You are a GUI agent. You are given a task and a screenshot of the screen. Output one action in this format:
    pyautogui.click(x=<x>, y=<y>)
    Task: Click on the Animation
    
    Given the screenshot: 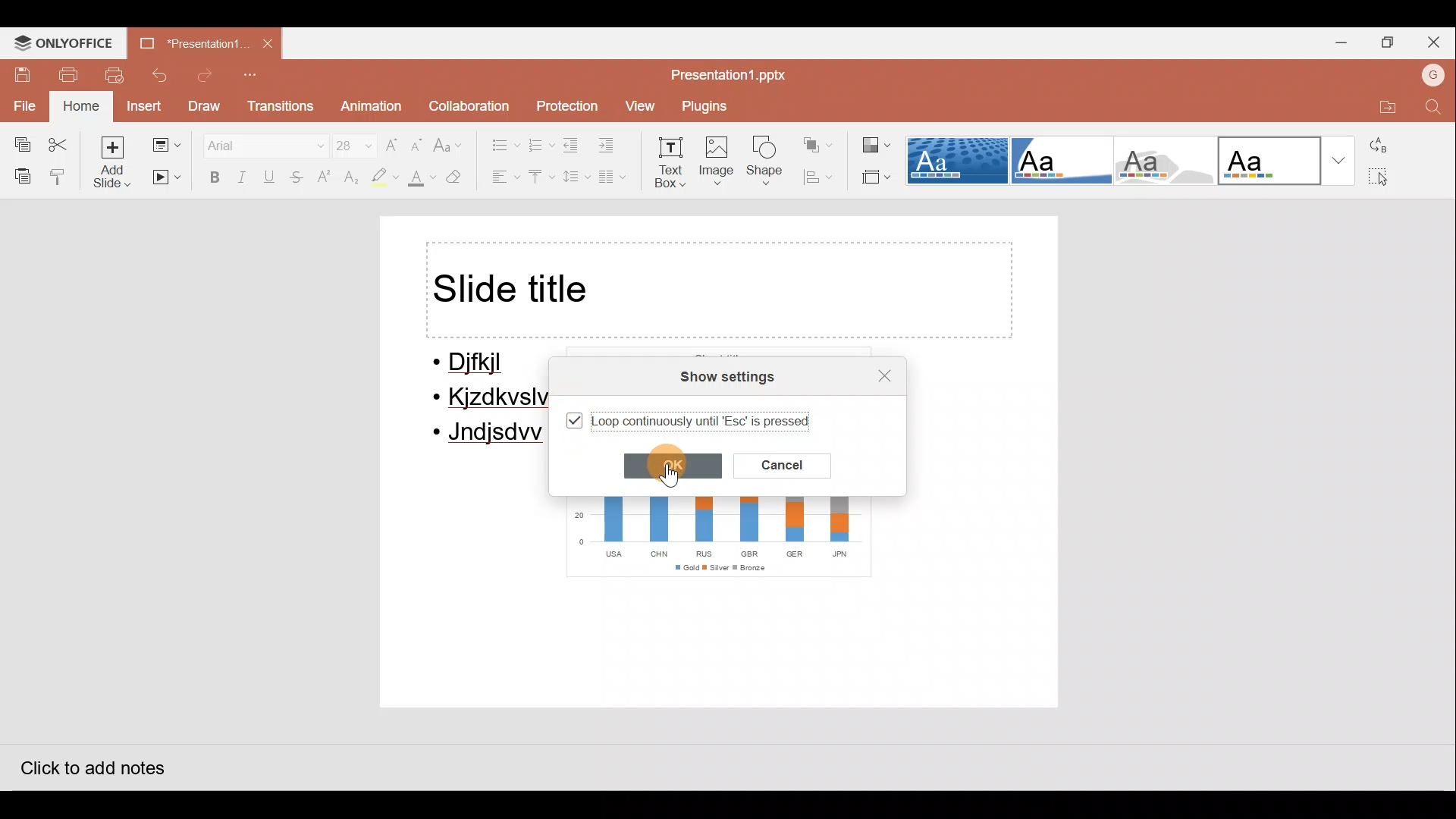 What is the action you would take?
    pyautogui.click(x=367, y=106)
    